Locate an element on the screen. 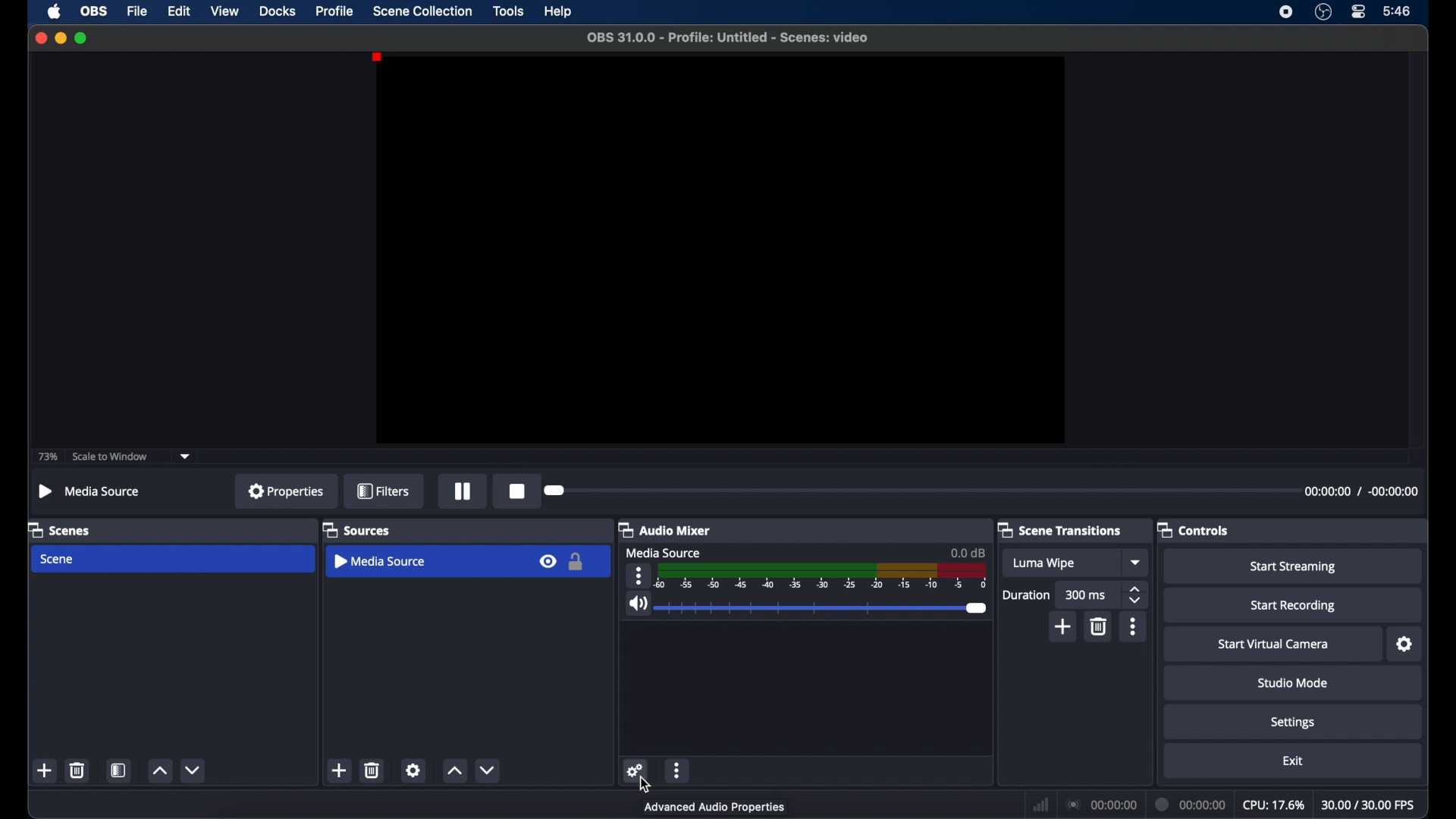 The width and height of the screenshot is (1456, 819). screen recorder icon is located at coordinates (1286, 11).